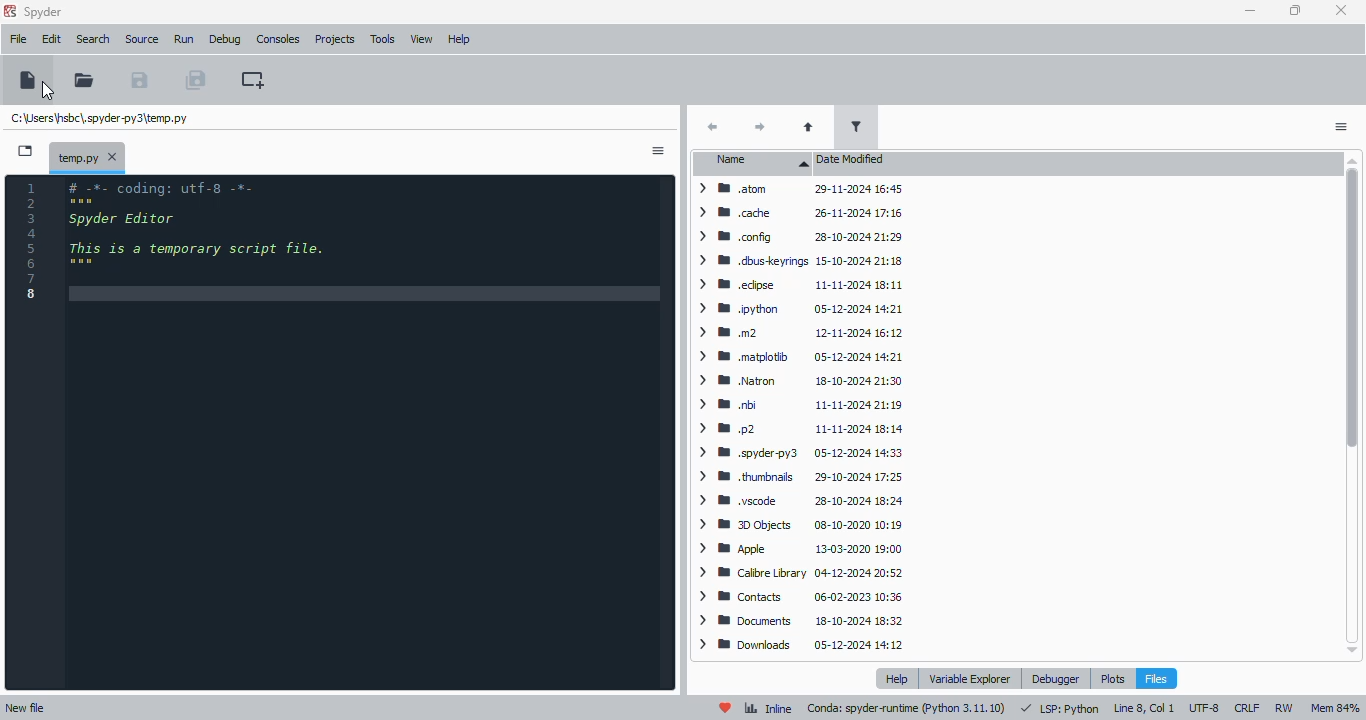 Image resolution: width=1366 pixels, height=720 pixels. What do you see at coordinates (26, 708) in the screenshot?
I see `new file` at bounding box center [26, 708].